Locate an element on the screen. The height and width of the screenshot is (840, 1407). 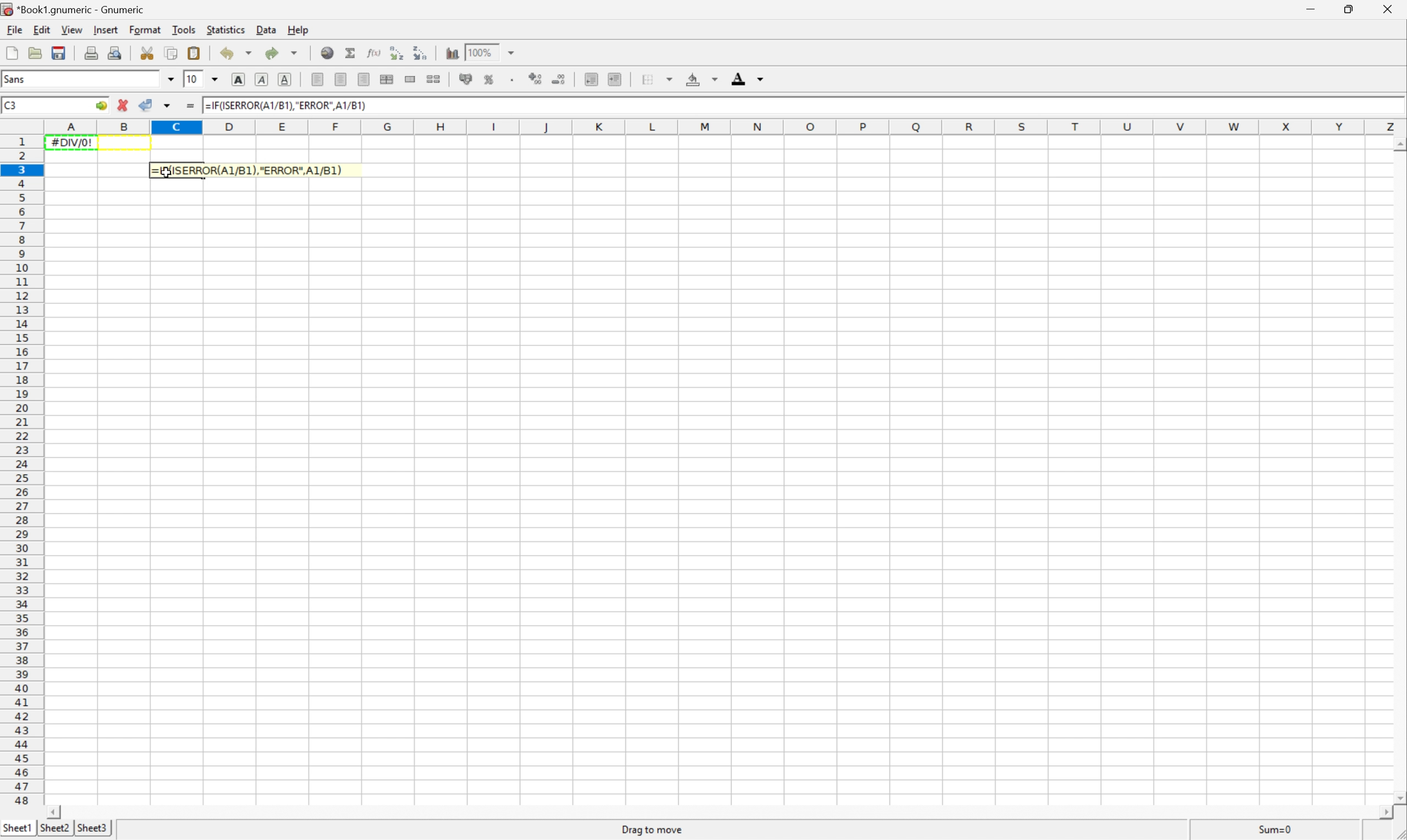
close is located at coordinates (1384, 12).